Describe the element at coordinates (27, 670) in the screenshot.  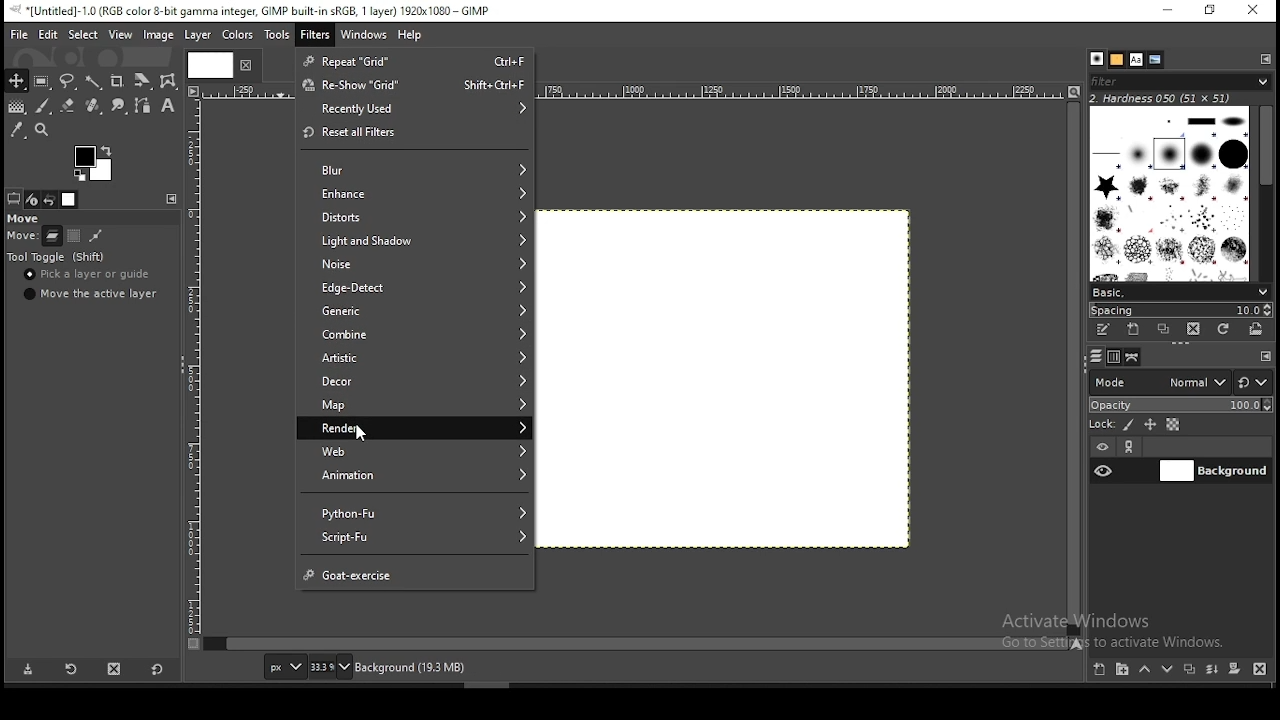
I see `save tool preset` at that location.